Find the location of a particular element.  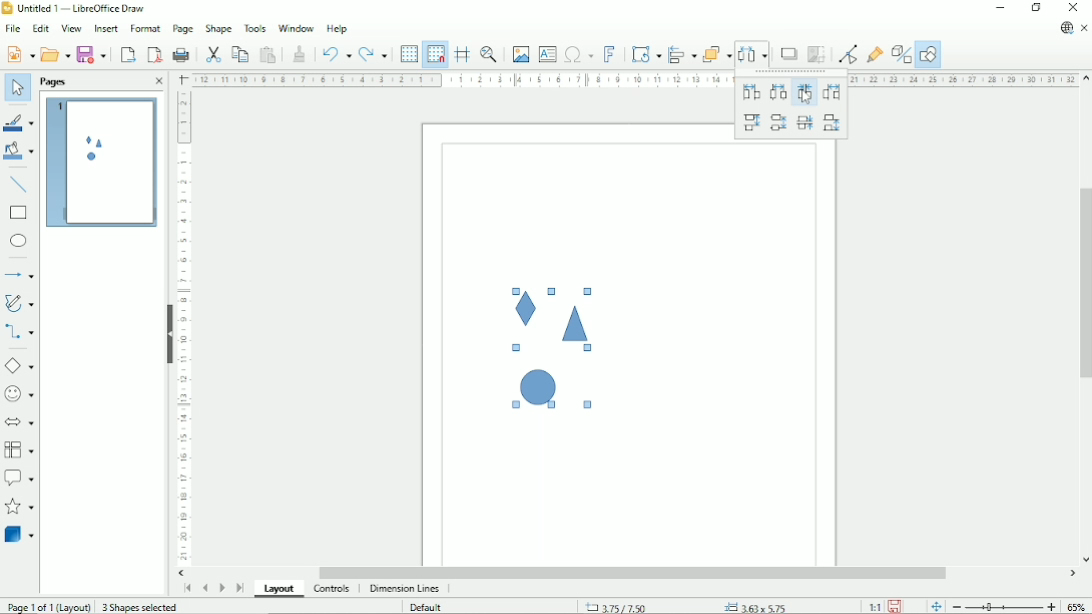

Distribute is located at coordinates (754, 53).